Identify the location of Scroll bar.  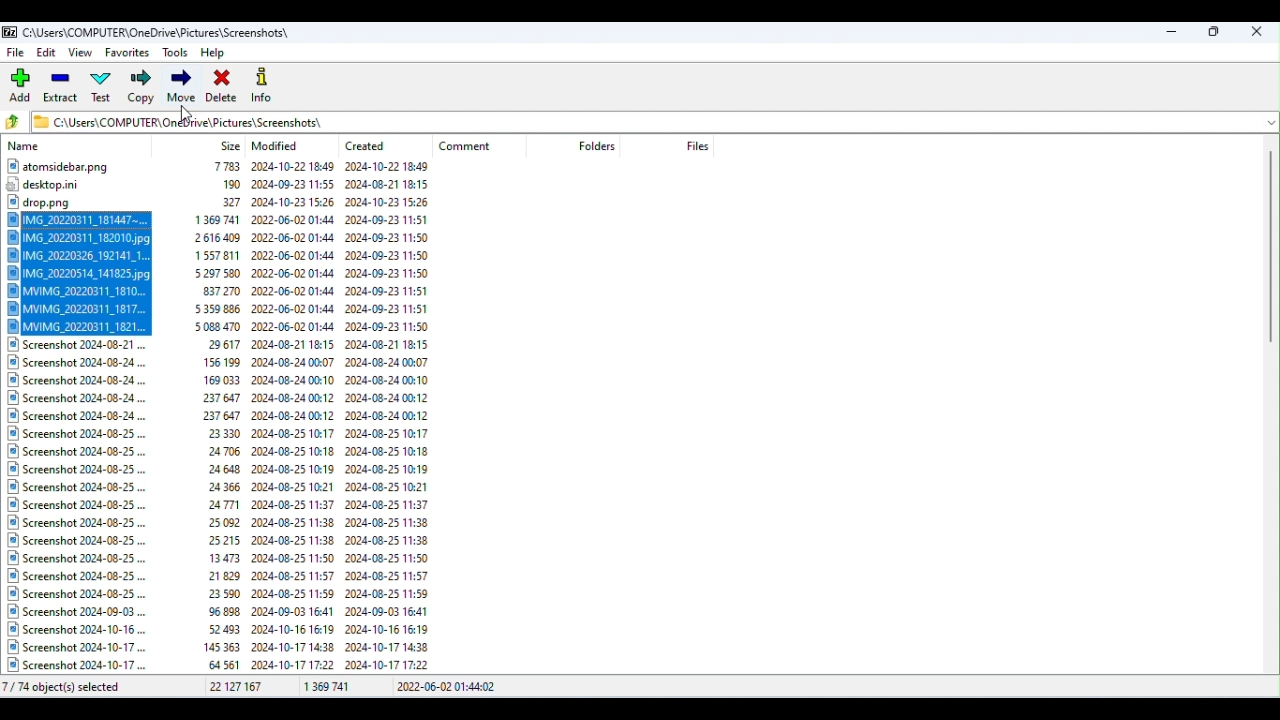
(1272, 407).